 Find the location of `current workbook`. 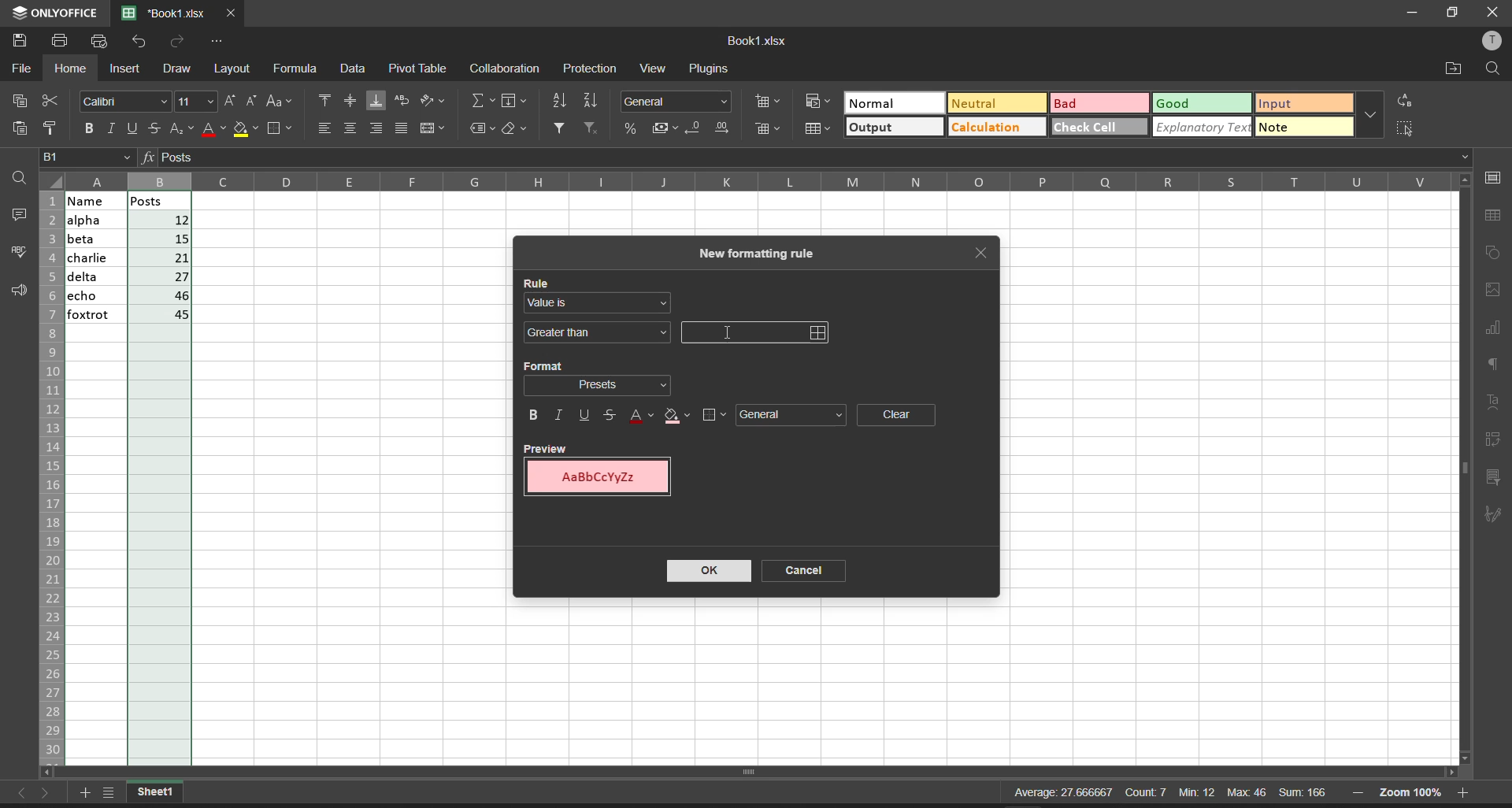

current workbook is located at coordinates (160, 791).